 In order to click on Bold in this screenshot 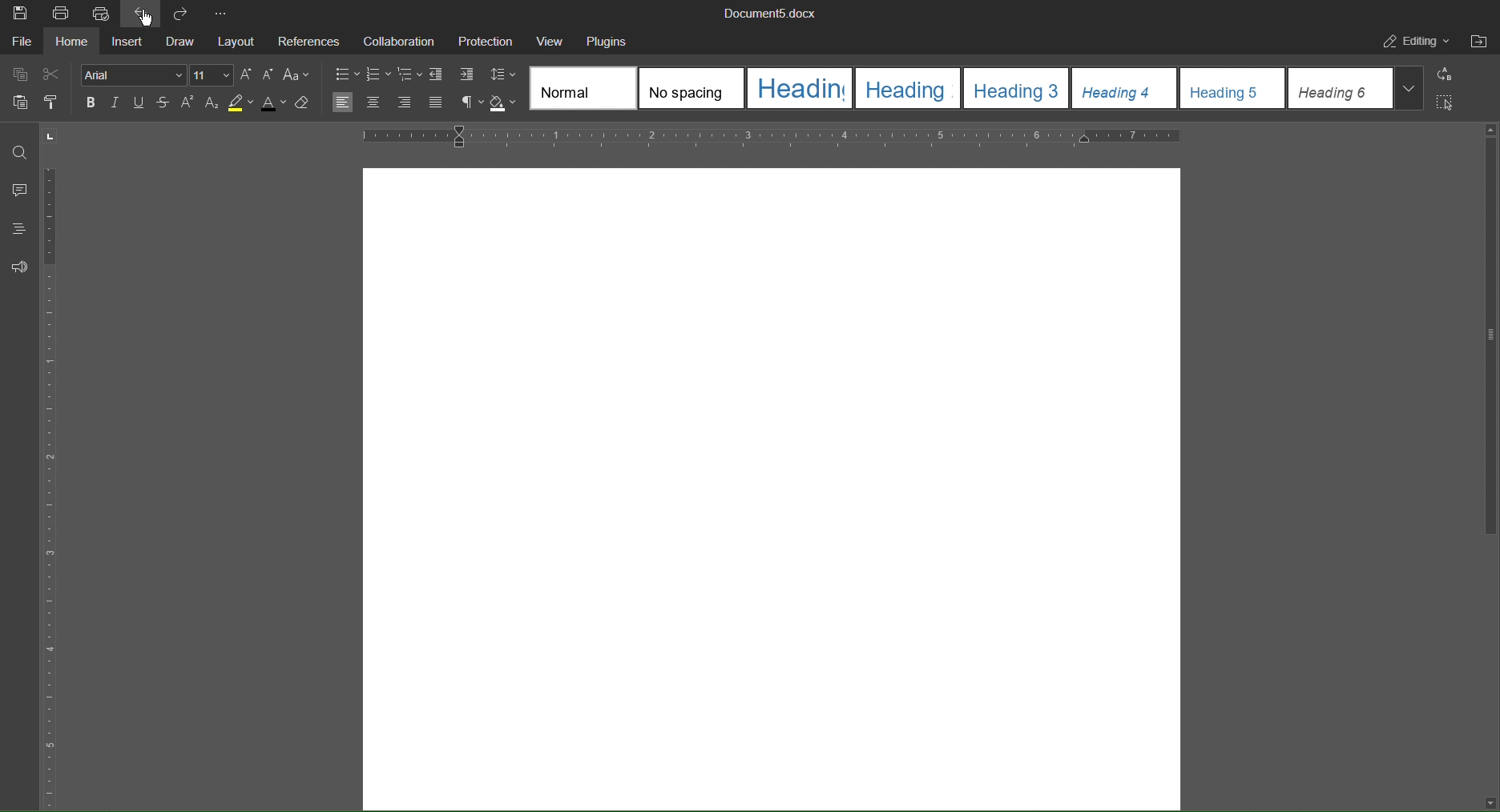, I will do `click(94, 102)`.